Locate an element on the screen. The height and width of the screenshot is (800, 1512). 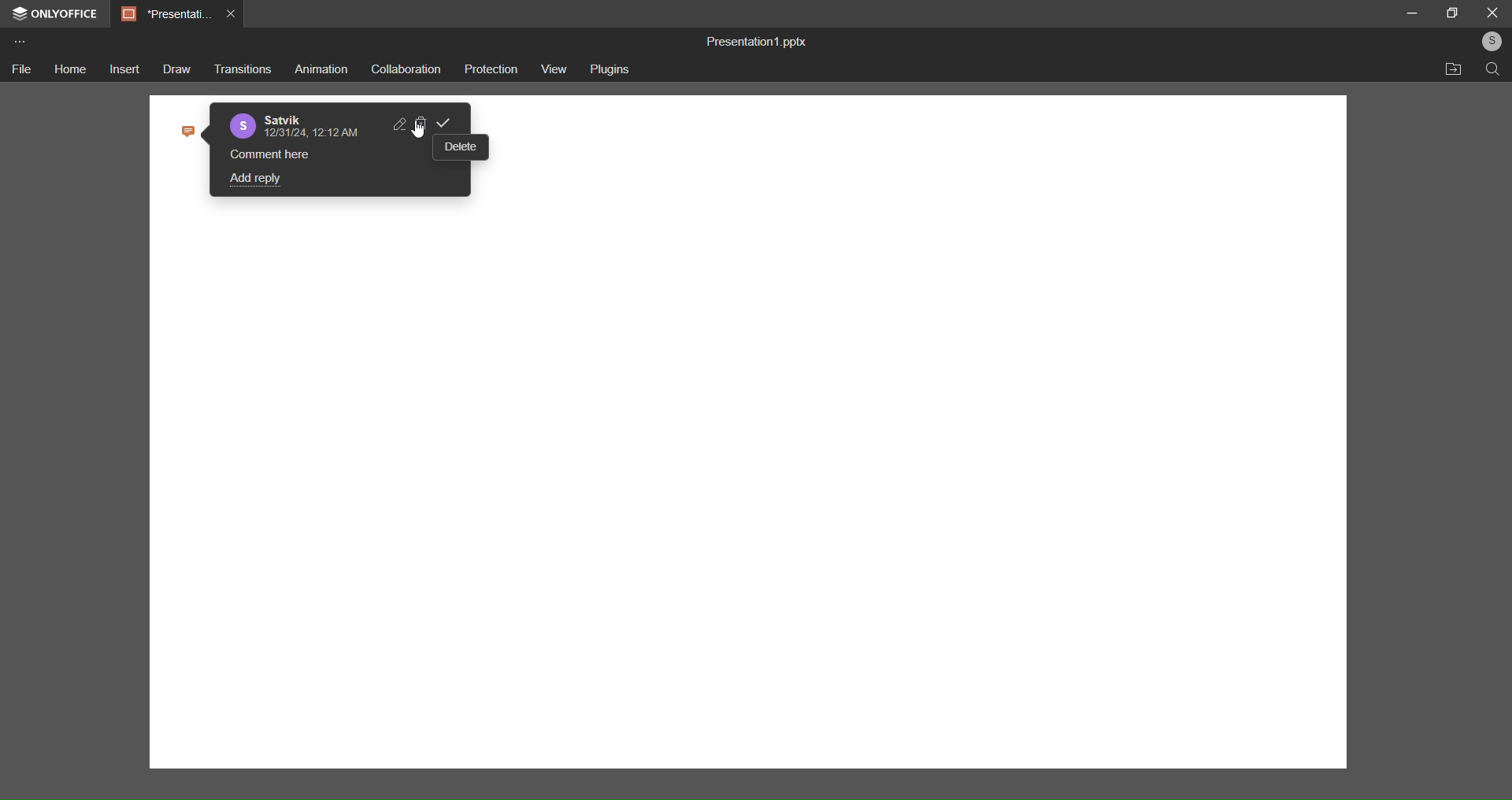
profile picture is located at coordinates (240, 125).